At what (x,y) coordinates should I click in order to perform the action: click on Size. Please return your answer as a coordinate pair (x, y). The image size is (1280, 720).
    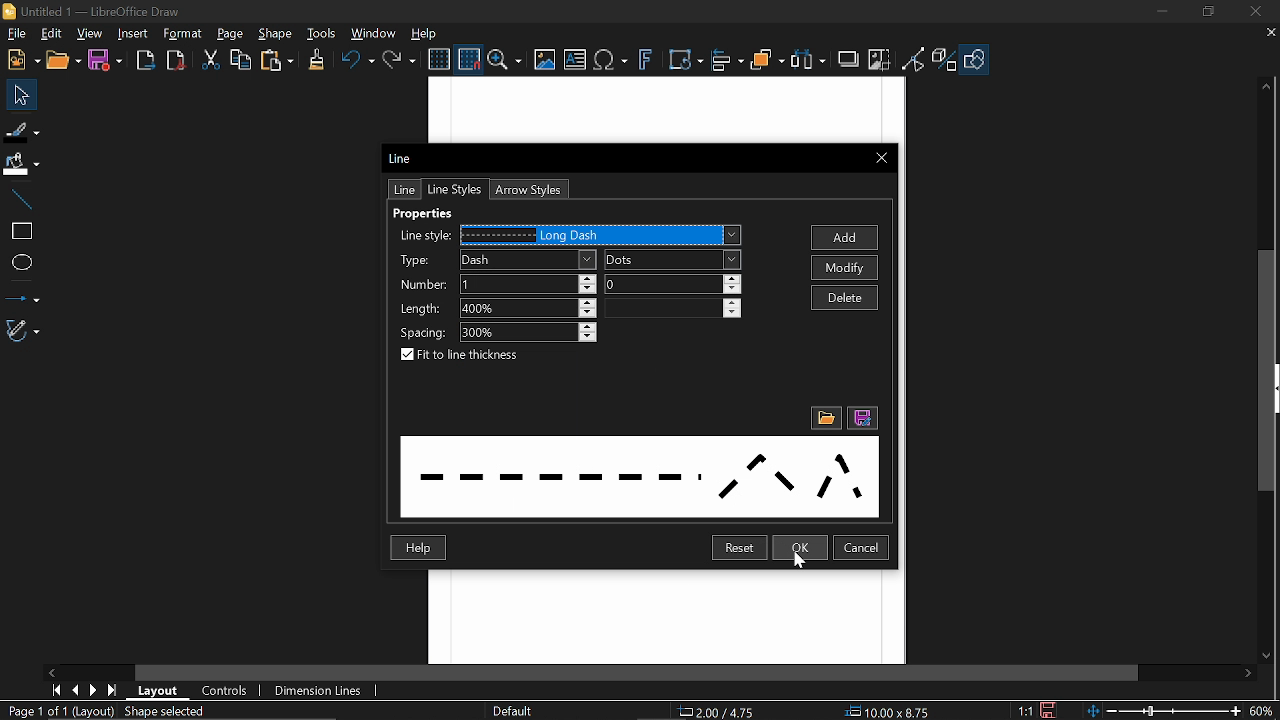
    Looking at the image, I should click on (894, 712).